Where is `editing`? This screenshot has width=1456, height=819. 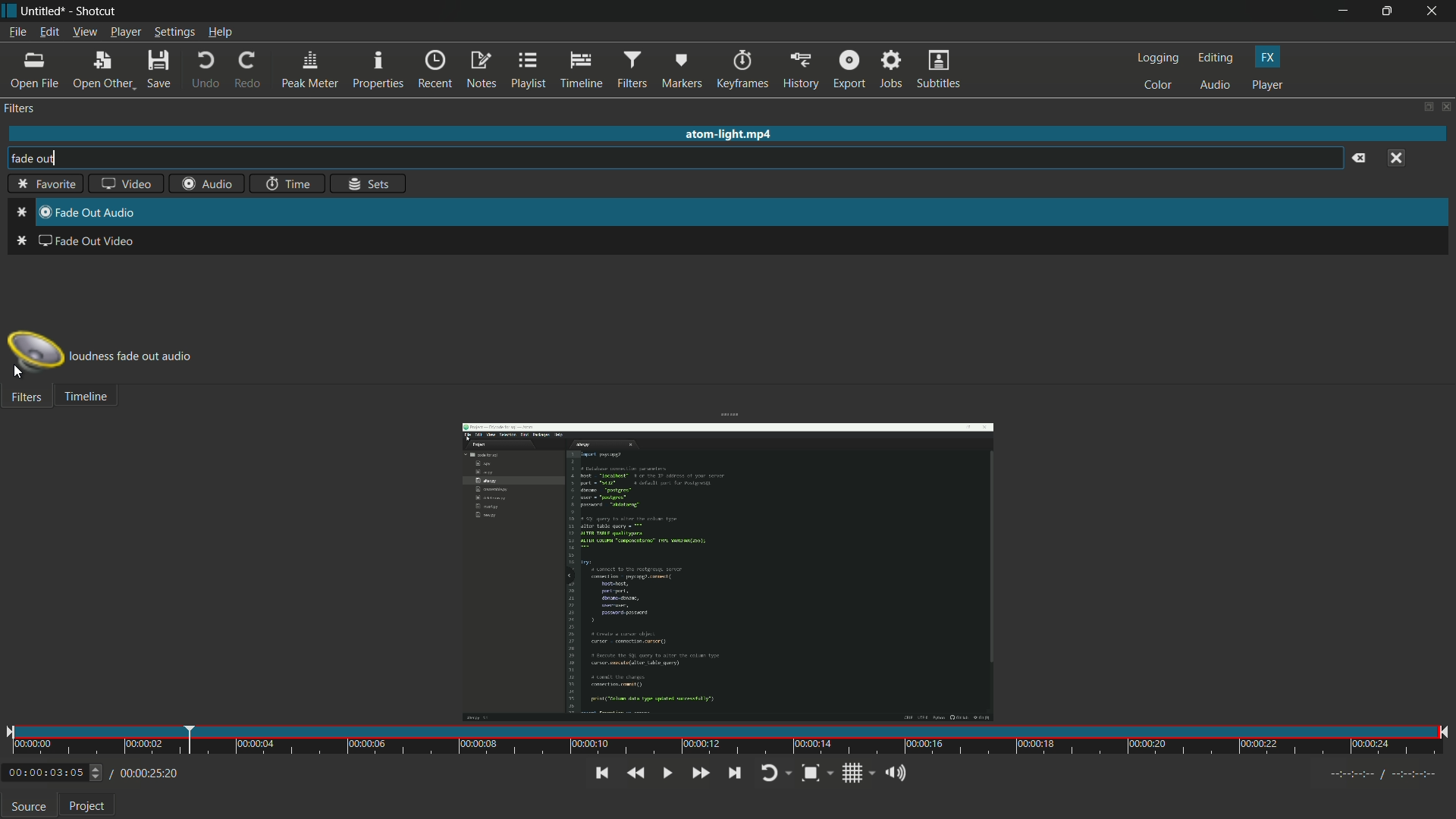 editing is located at coordinates (1216, 58).